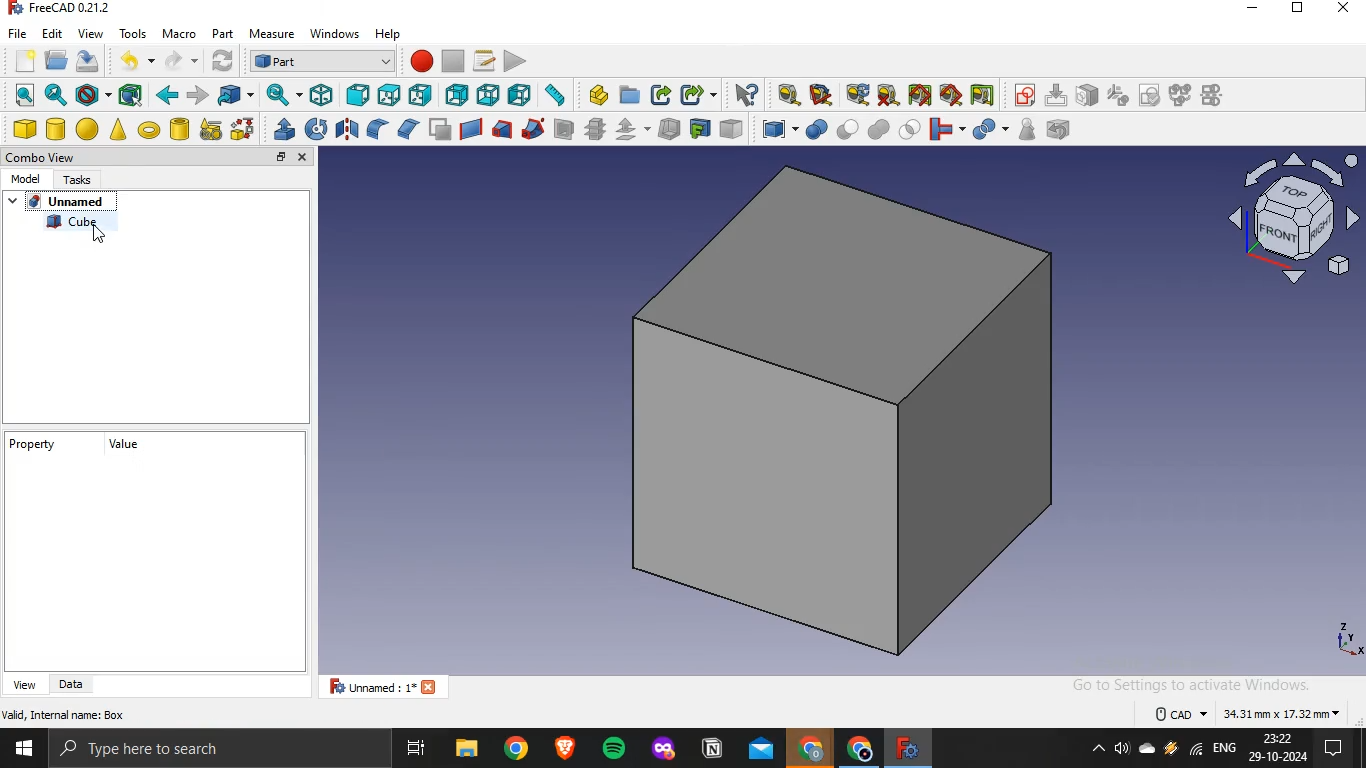 The image size is (1366, 768). What do you see at coordinates (18, 32) in the screenshot?
I see `file` at bounding box center [18, 32].